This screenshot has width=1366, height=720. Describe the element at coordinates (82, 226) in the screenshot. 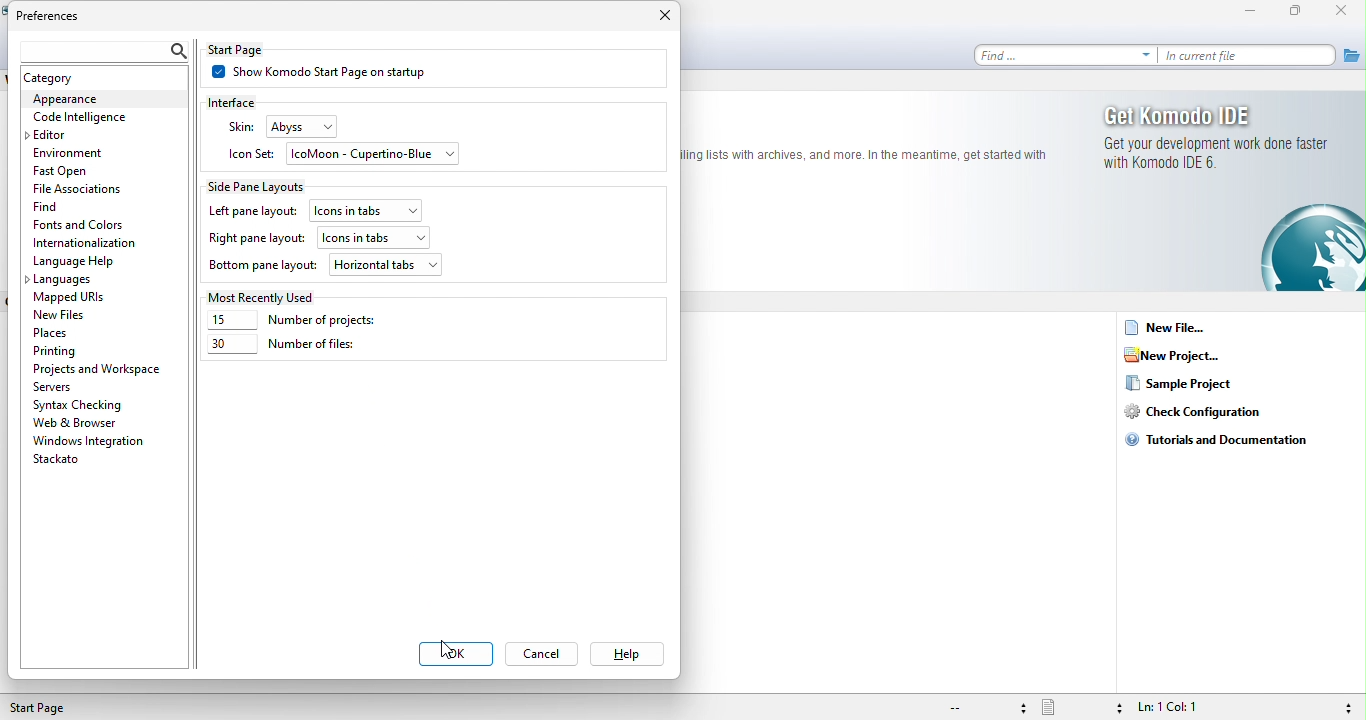

I see `fonts and colors` at that location.